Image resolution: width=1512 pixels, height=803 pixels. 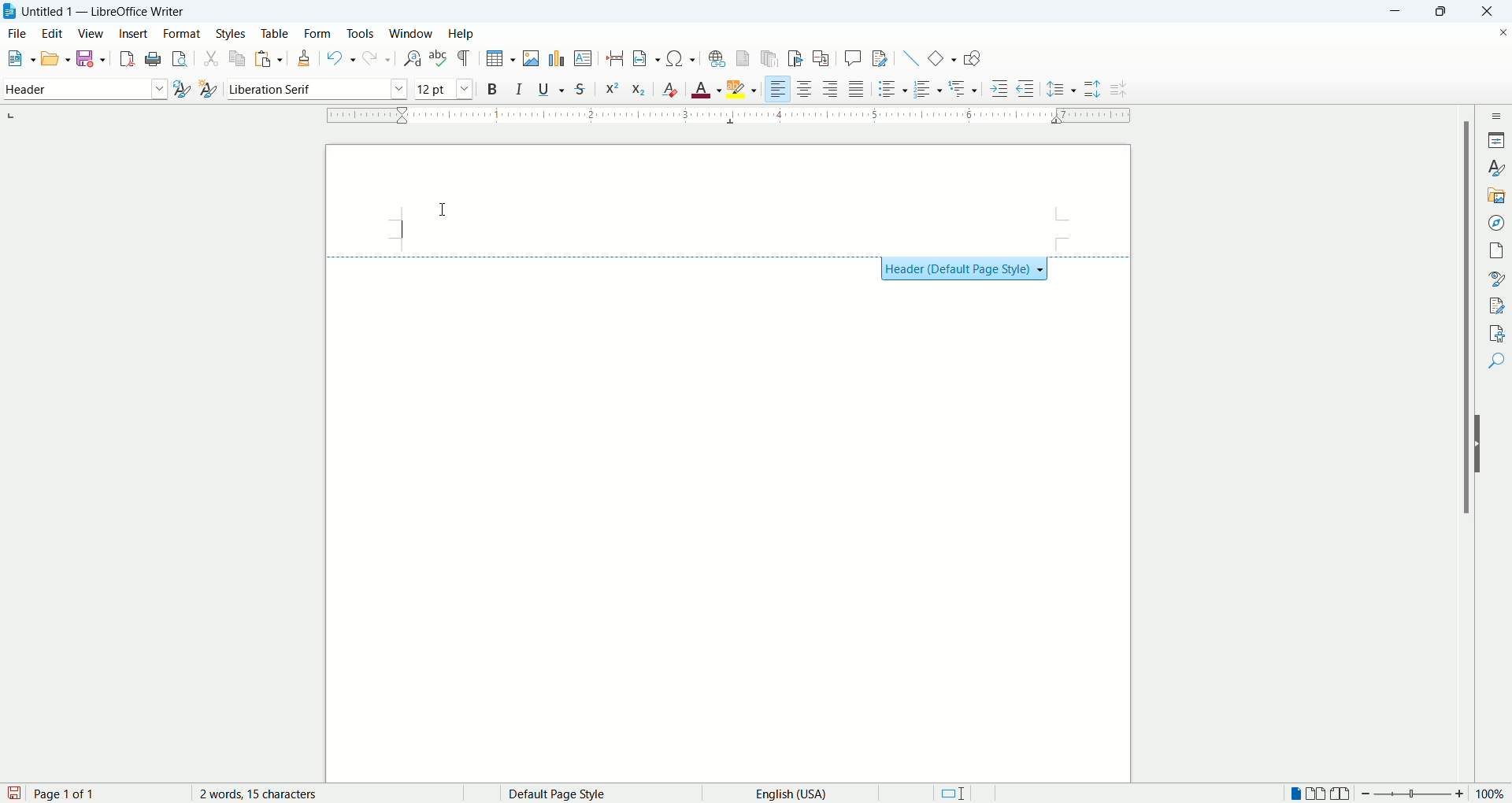 I want to click on insert symbol, so click(x=680, y=57).